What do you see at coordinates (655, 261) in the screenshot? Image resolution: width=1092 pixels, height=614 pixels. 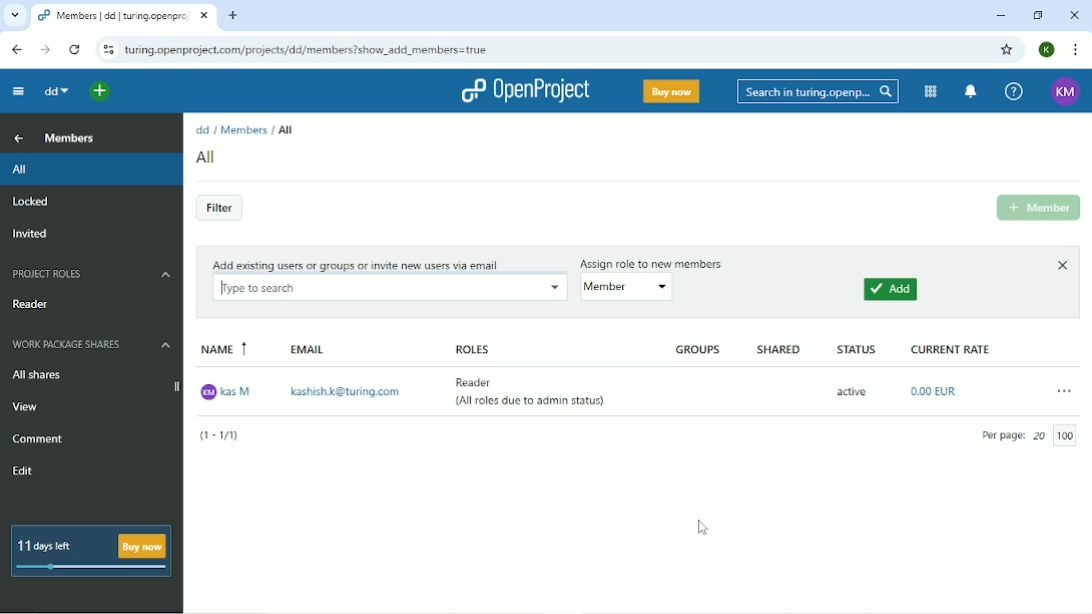 I see `Assign role to new members` at bounding box center [655, 261].